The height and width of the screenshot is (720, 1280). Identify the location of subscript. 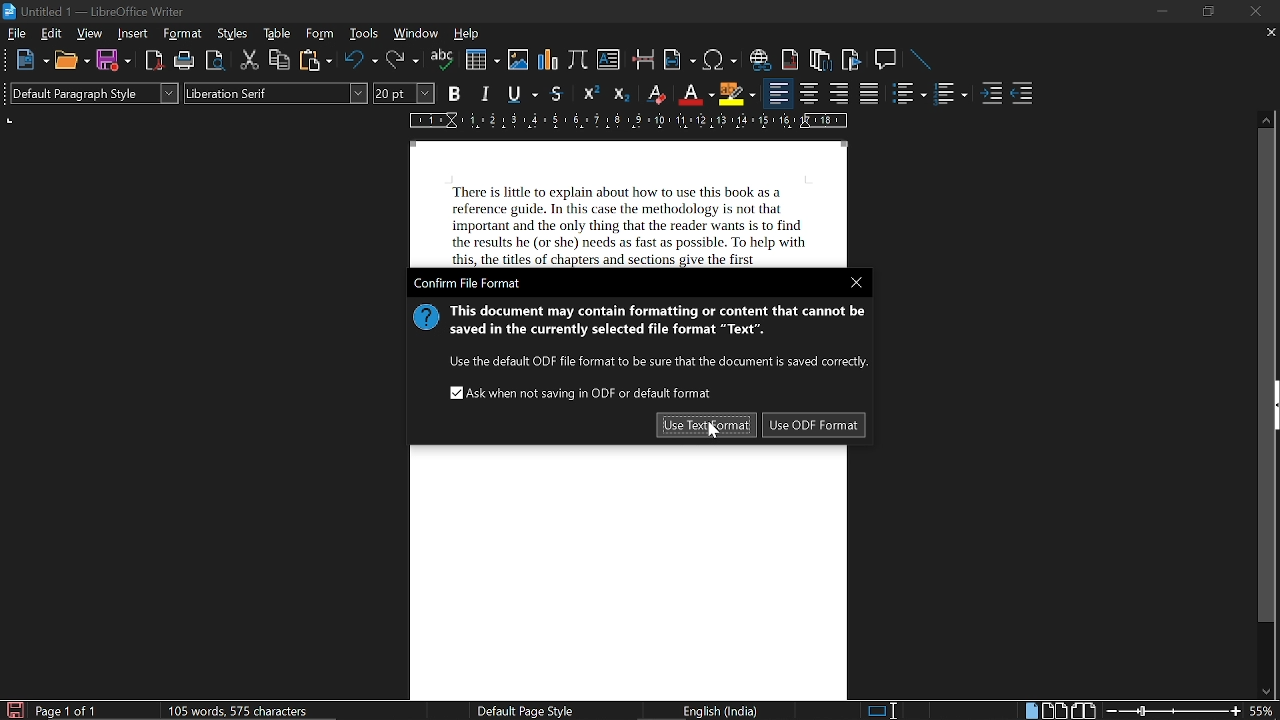
(620, 93).